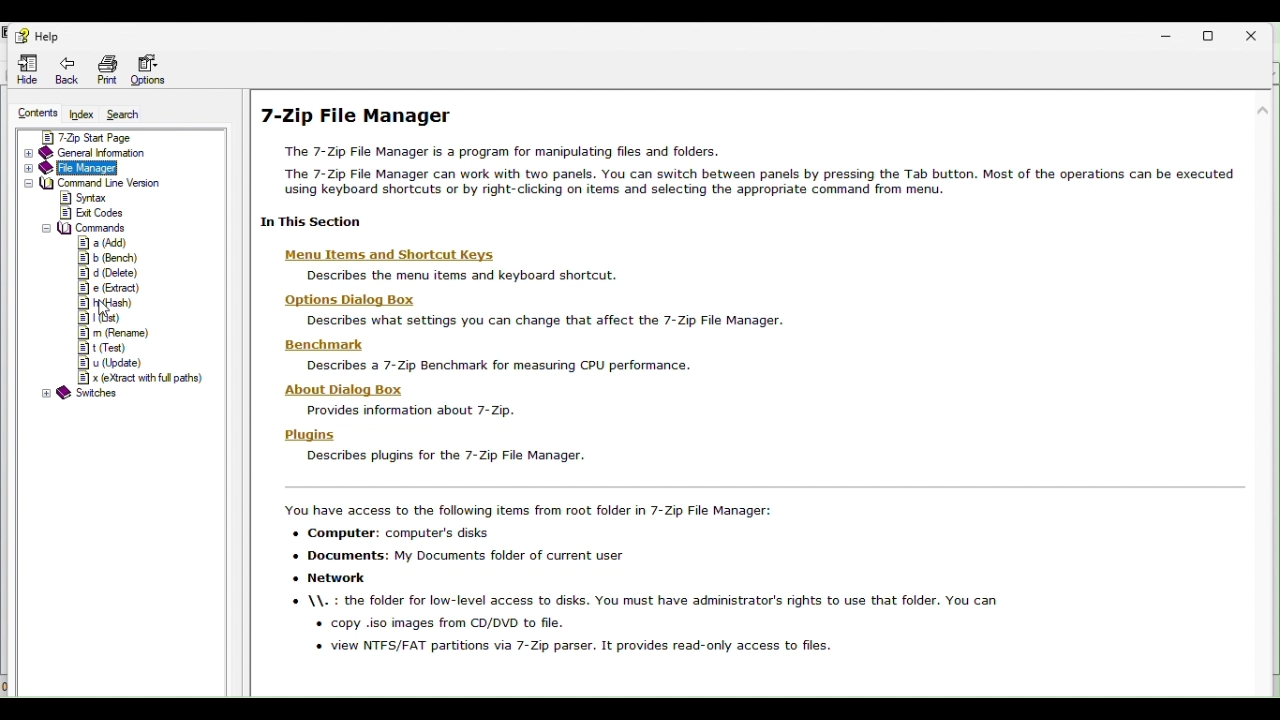  I want to click on options dialog box, so click(523, 310).